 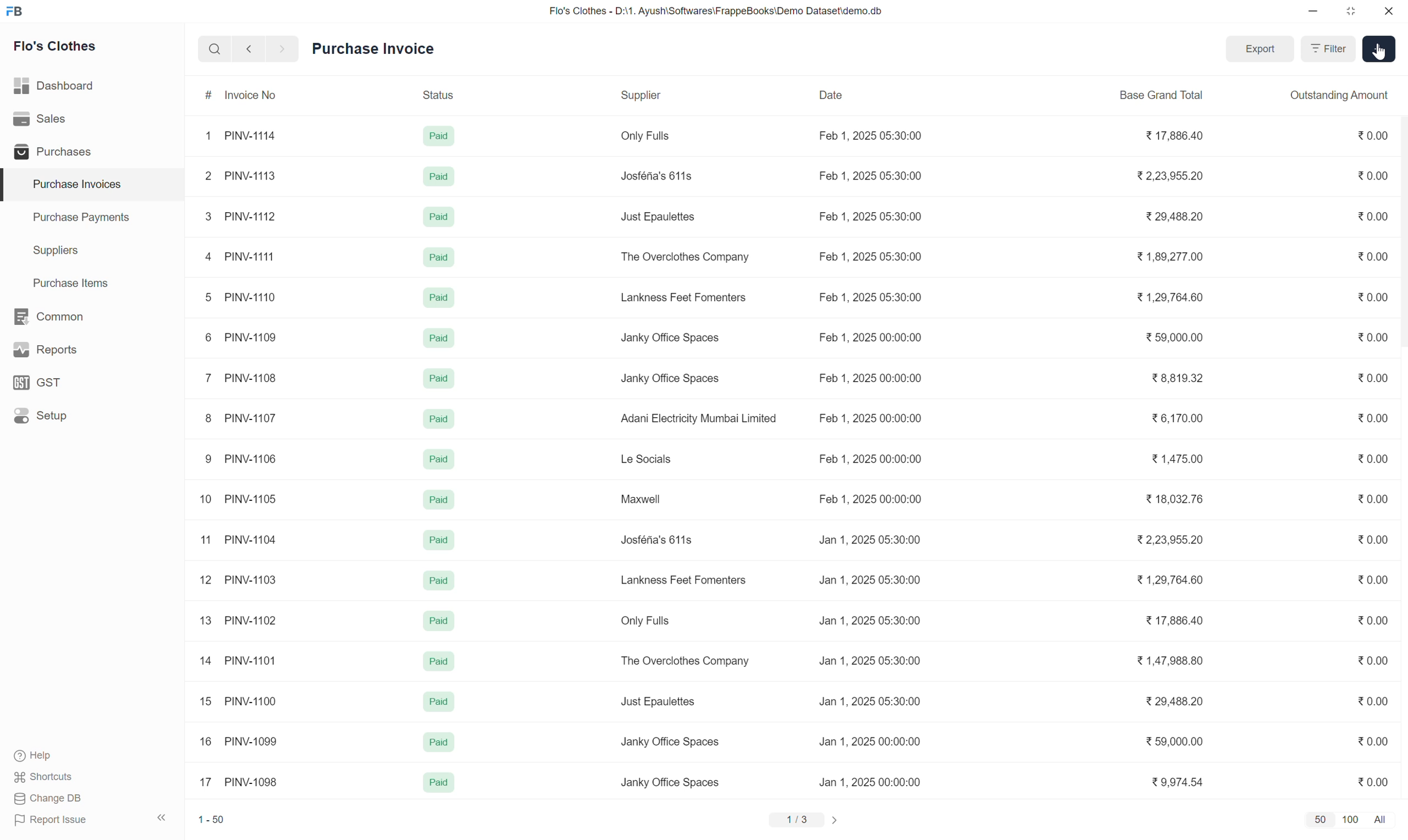 I want to click on Collapse, so click(x=162, y=817).